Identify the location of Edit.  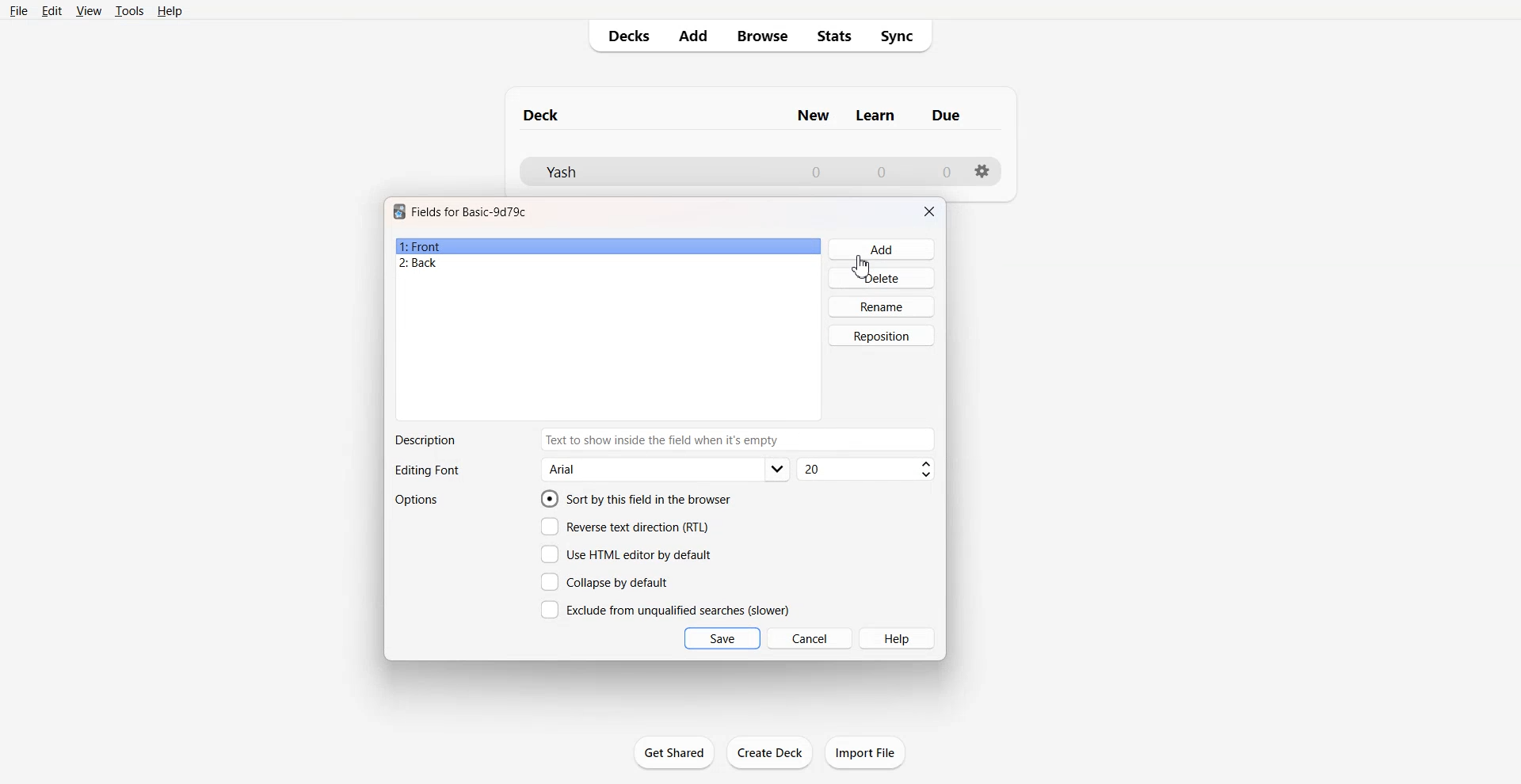
(51, 11).